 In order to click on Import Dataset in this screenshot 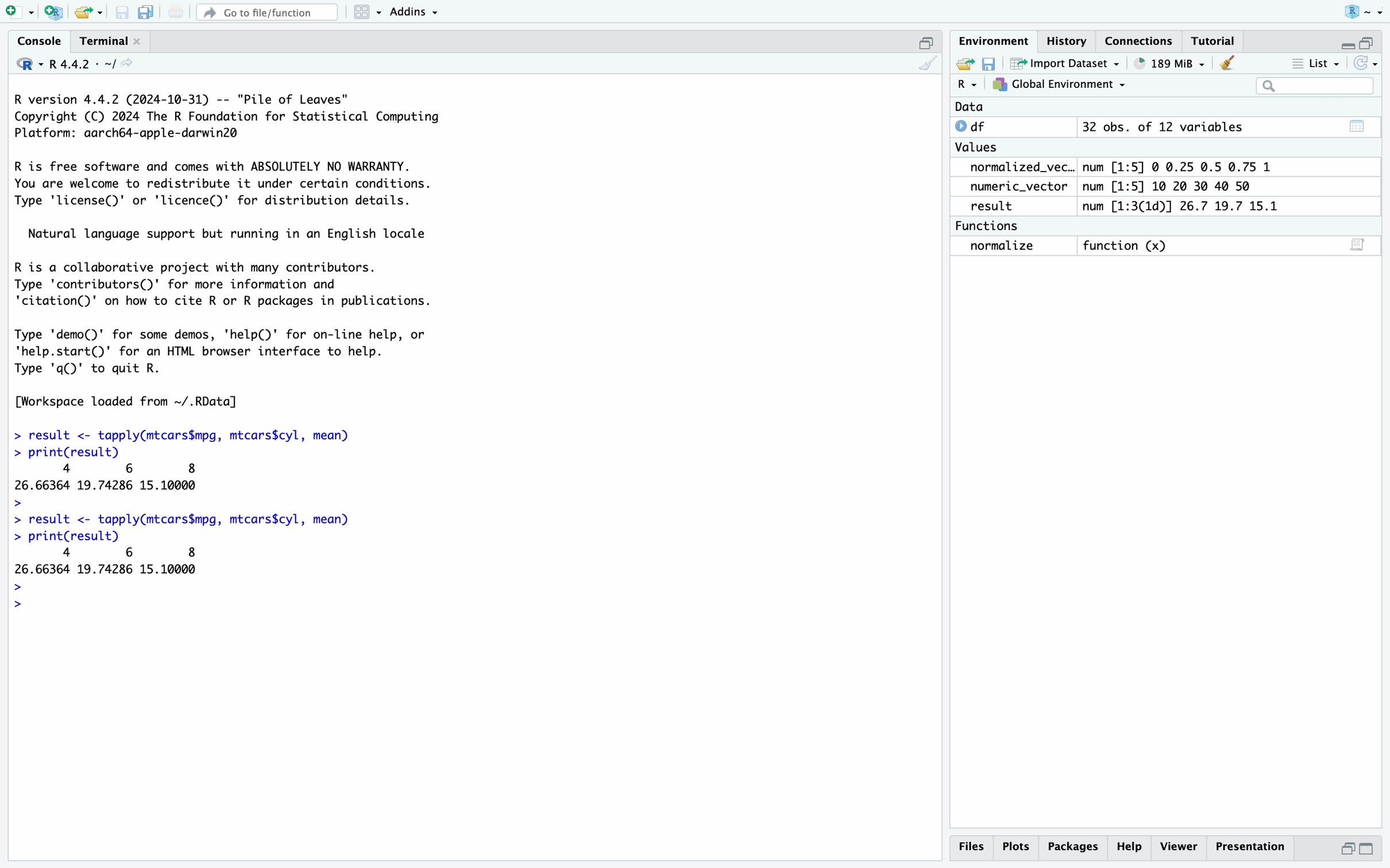, I will do `click(1064, 63)`.